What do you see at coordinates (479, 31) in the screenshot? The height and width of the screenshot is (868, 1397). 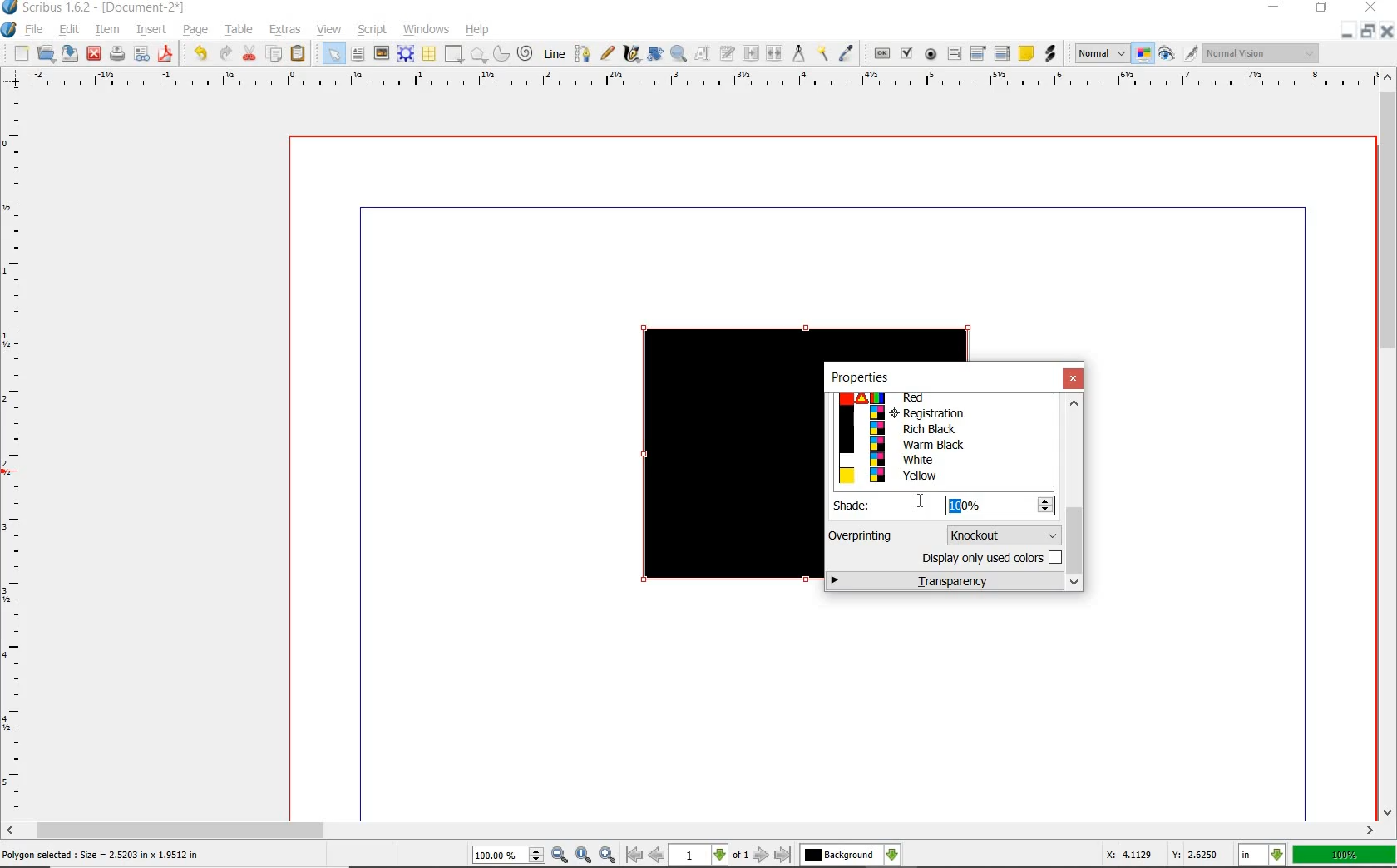 I see `help` at bounding box center [479, 31].